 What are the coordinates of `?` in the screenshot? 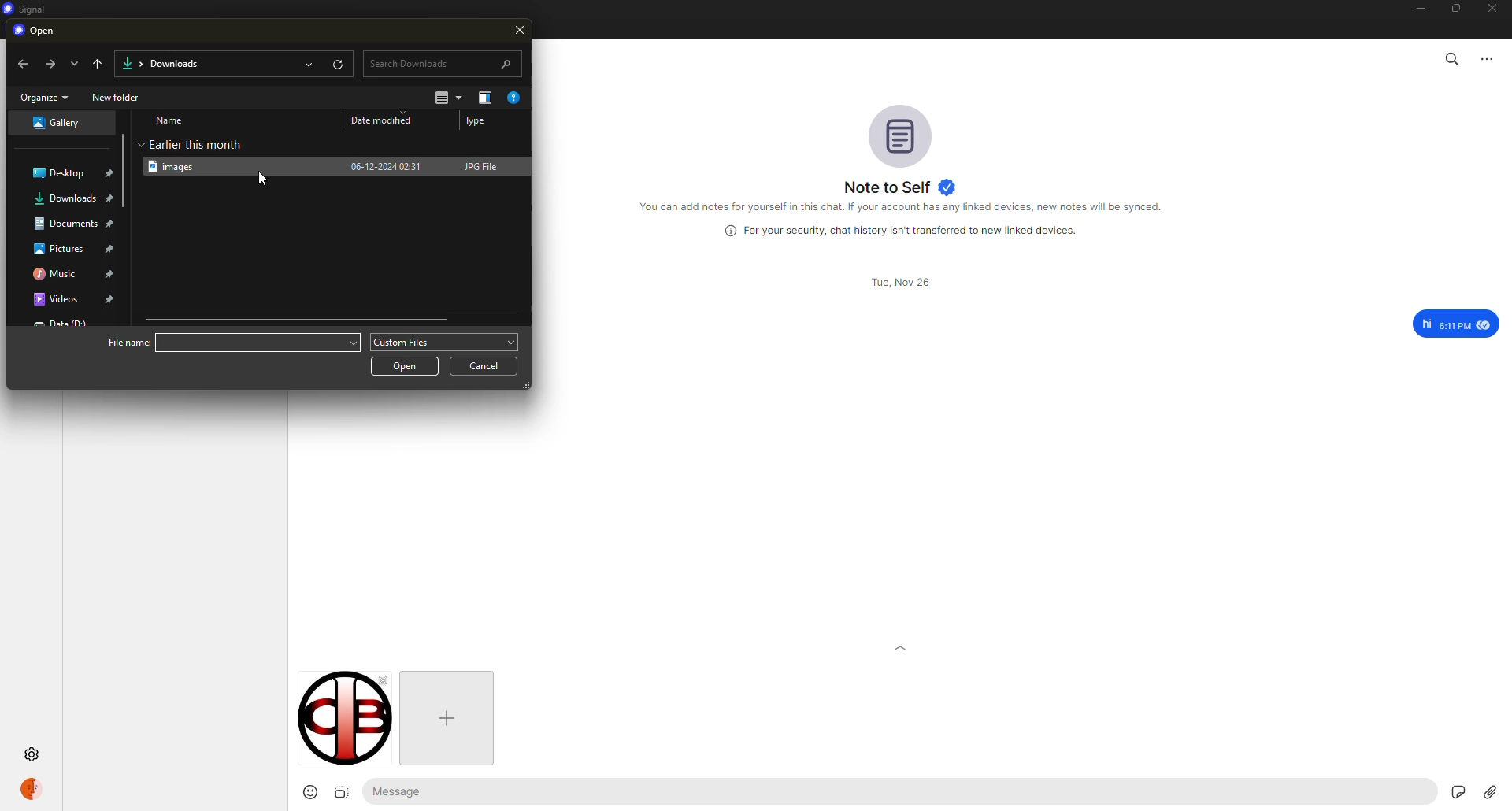 It's located at (517, 98).